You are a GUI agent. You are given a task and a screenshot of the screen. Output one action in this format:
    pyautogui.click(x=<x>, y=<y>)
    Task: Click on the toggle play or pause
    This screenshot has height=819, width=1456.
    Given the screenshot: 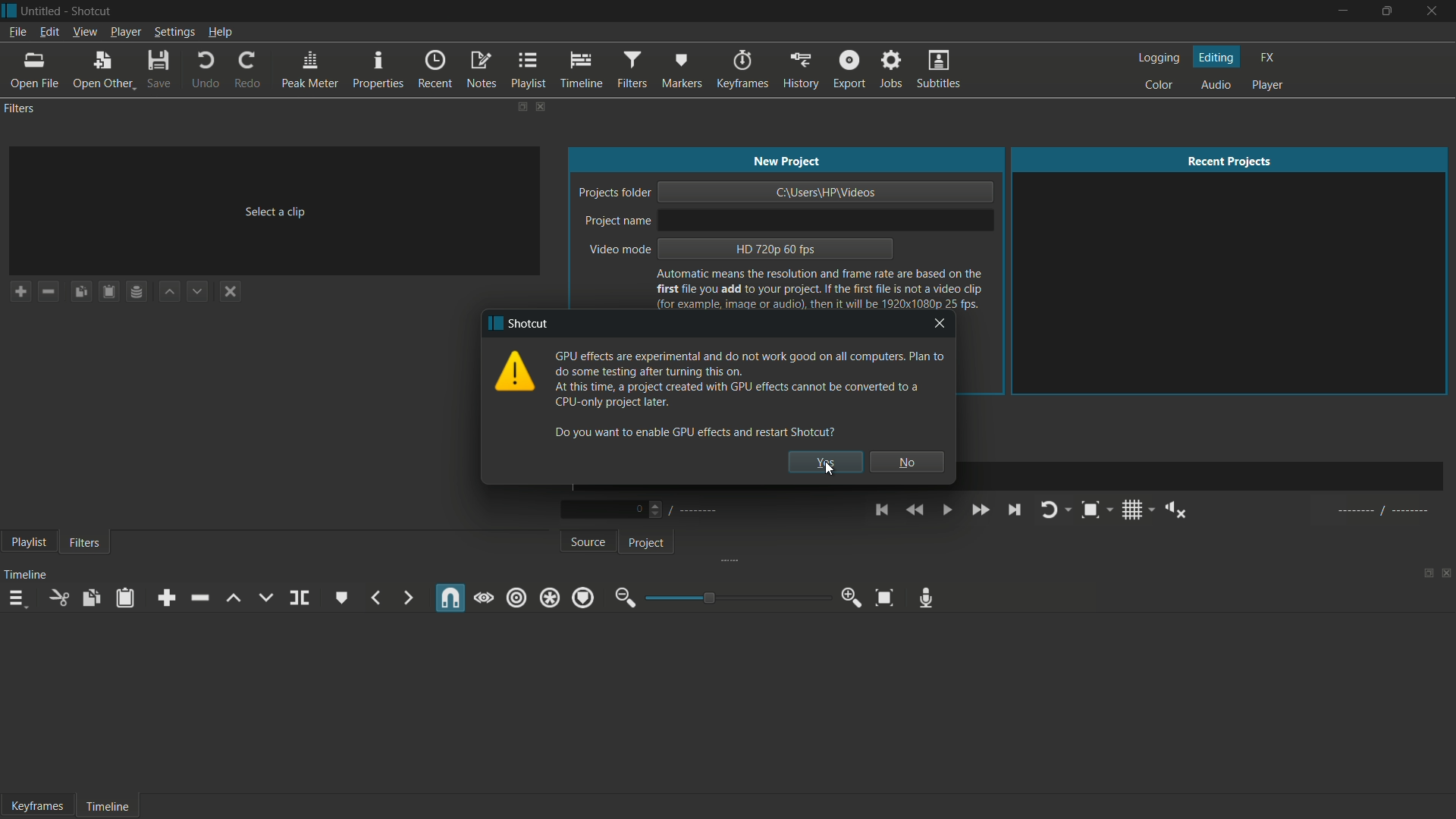 What is the action you would take?
    pyautogui.click(x=947, y=510)
    